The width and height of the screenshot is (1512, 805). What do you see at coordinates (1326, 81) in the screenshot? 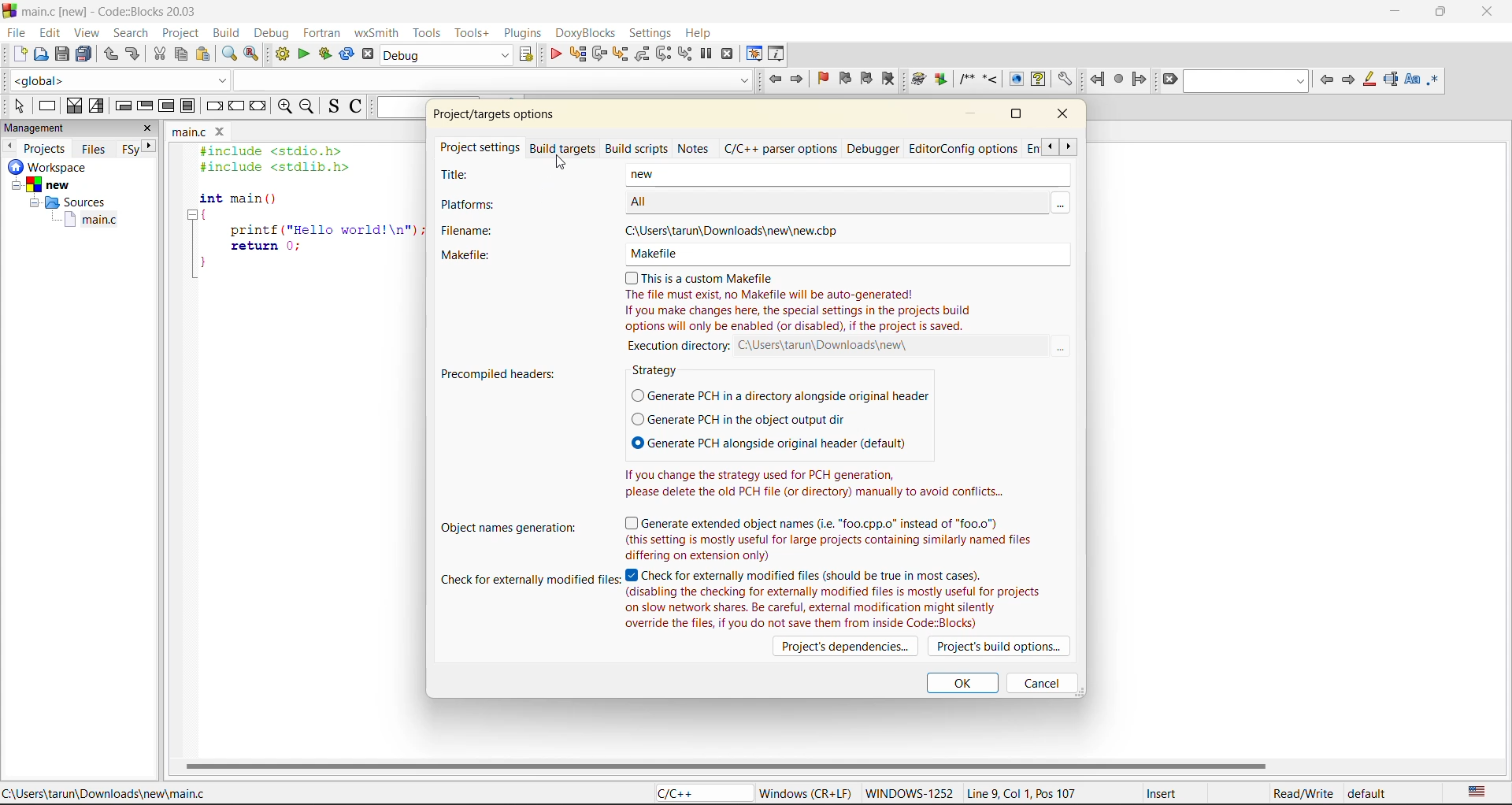
I see `previous` at bounding box center [1326, 81].